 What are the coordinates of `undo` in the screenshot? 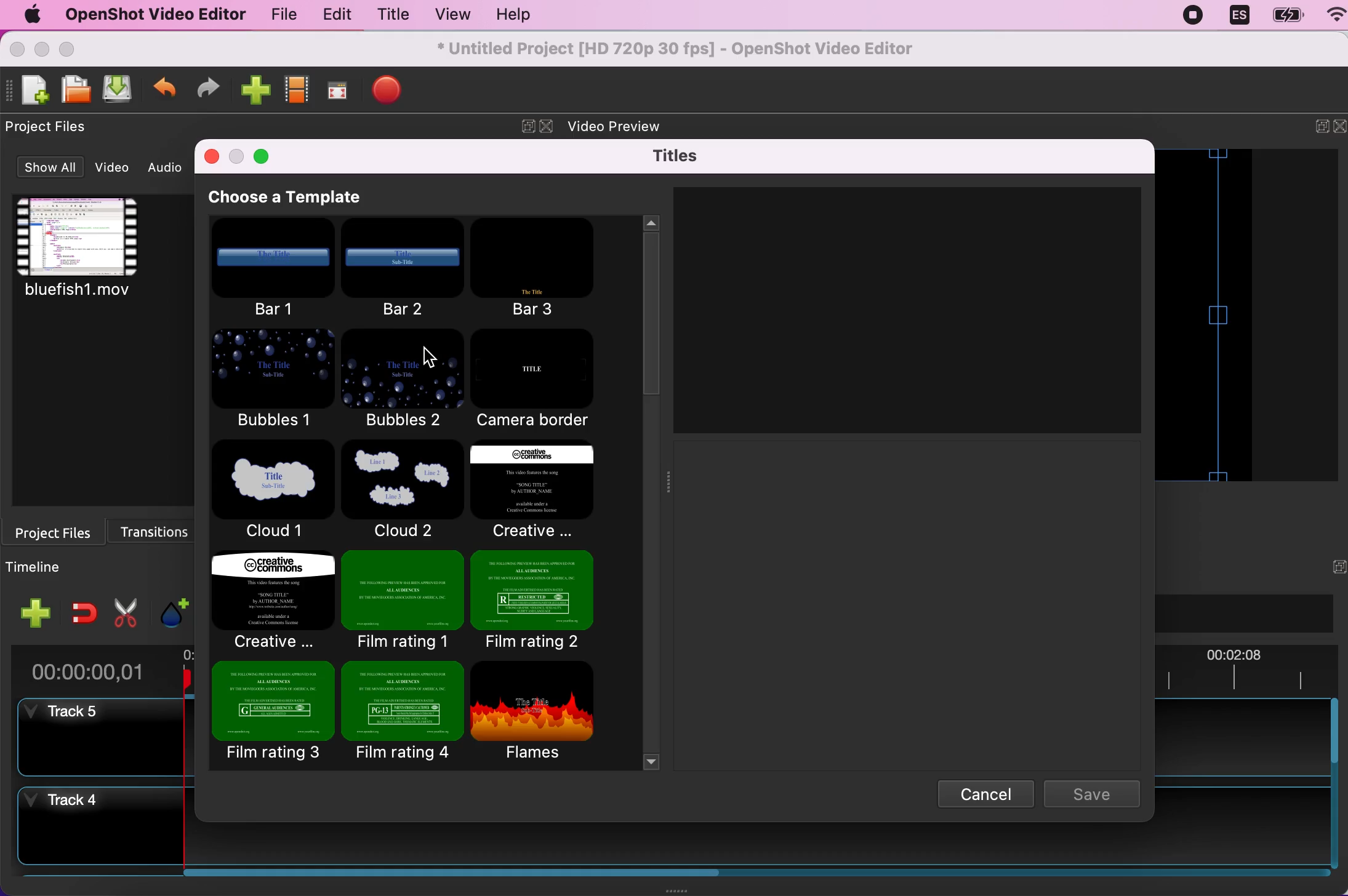 It's located at (165, 92).